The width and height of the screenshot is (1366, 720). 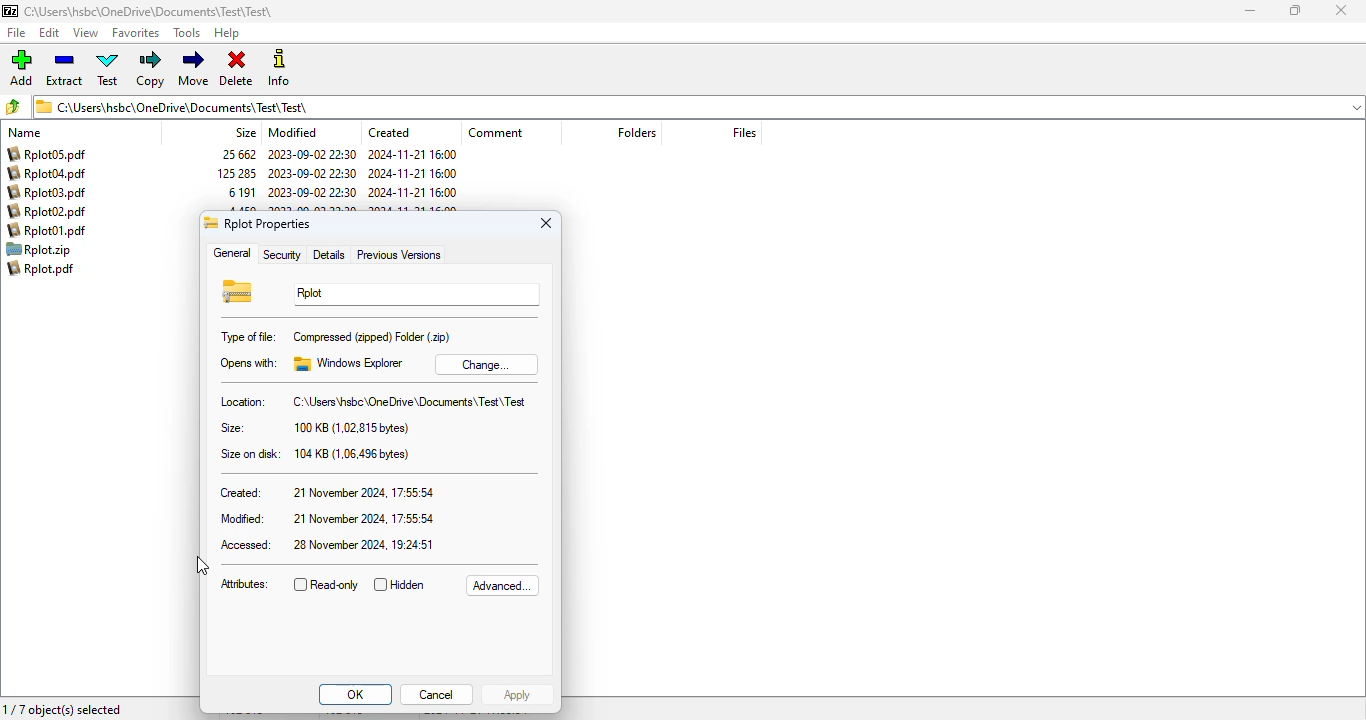 What do you see at coordinates (194, 68) in the screenshot?
I see `move` at bounding box center [194, 68].